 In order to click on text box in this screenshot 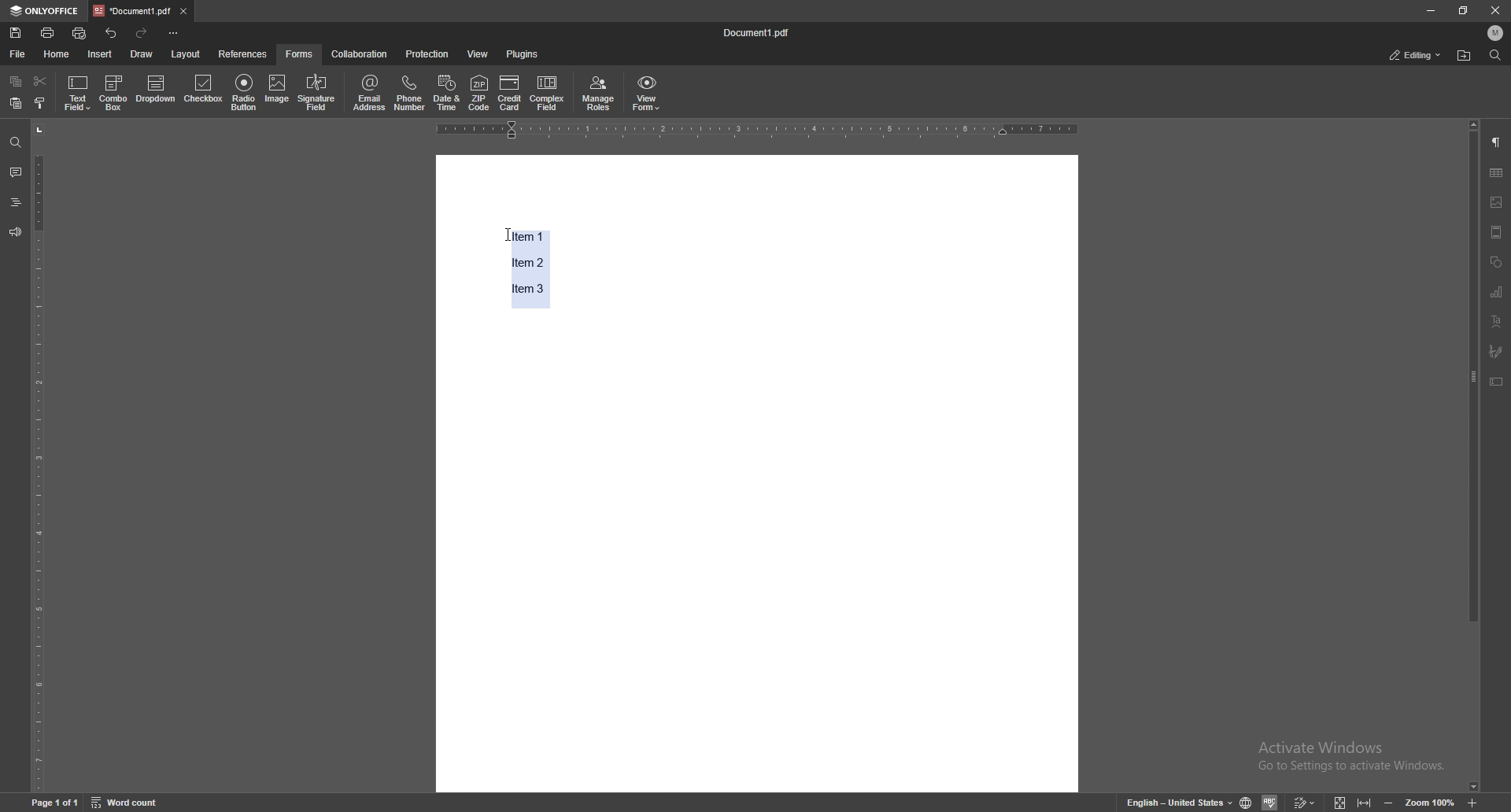, I will do `click(1498, 382)`.